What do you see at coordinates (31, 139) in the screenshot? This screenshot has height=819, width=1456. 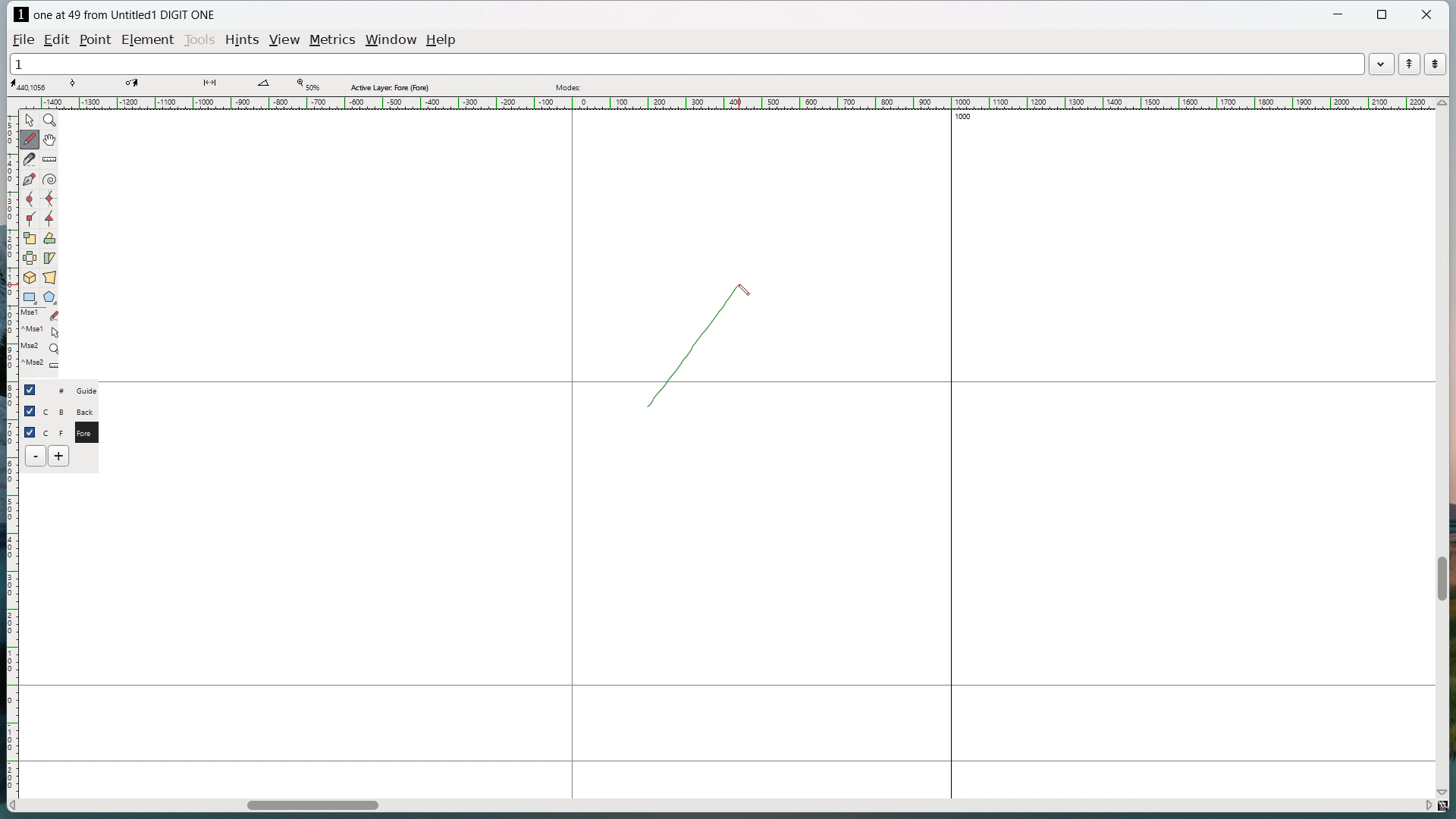 I see `draw freehand curve ` at bounding box center [31, 139].